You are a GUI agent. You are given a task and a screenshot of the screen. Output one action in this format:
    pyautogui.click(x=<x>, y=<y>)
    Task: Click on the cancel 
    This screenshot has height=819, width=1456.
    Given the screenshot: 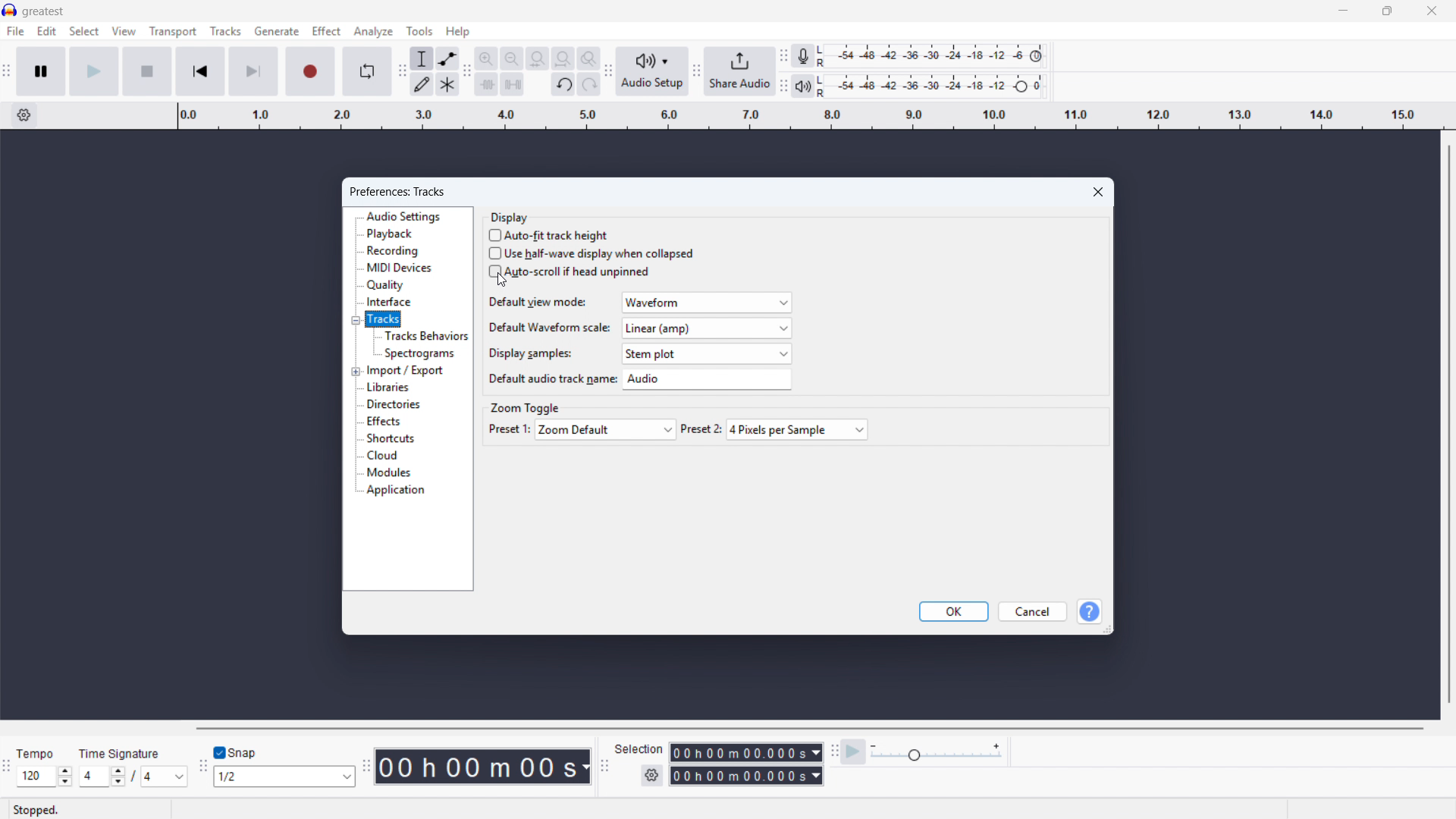 What is the action you would take?
    pyautogui.click(x=1034, y=612)
    